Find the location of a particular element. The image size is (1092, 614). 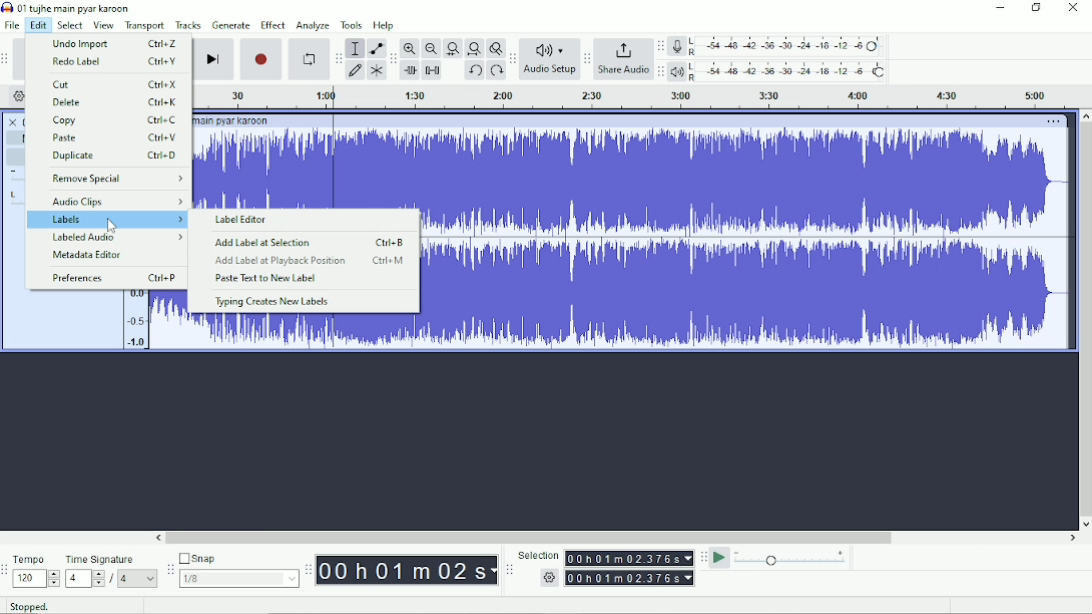

Undo Import is located at coordinates (113, 43).